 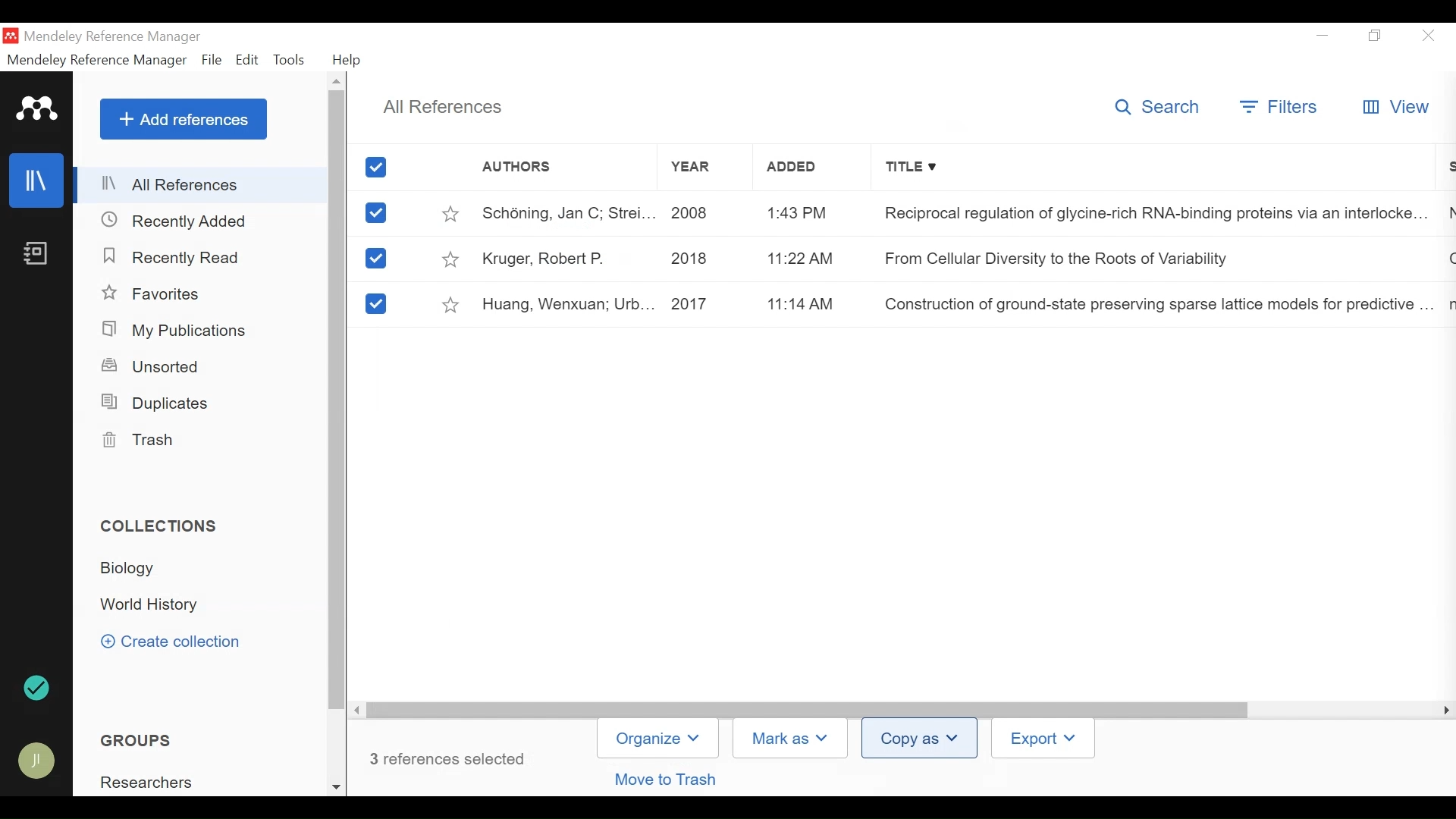 I want to click on Toggle Favorites, so click(x=453, y=259).